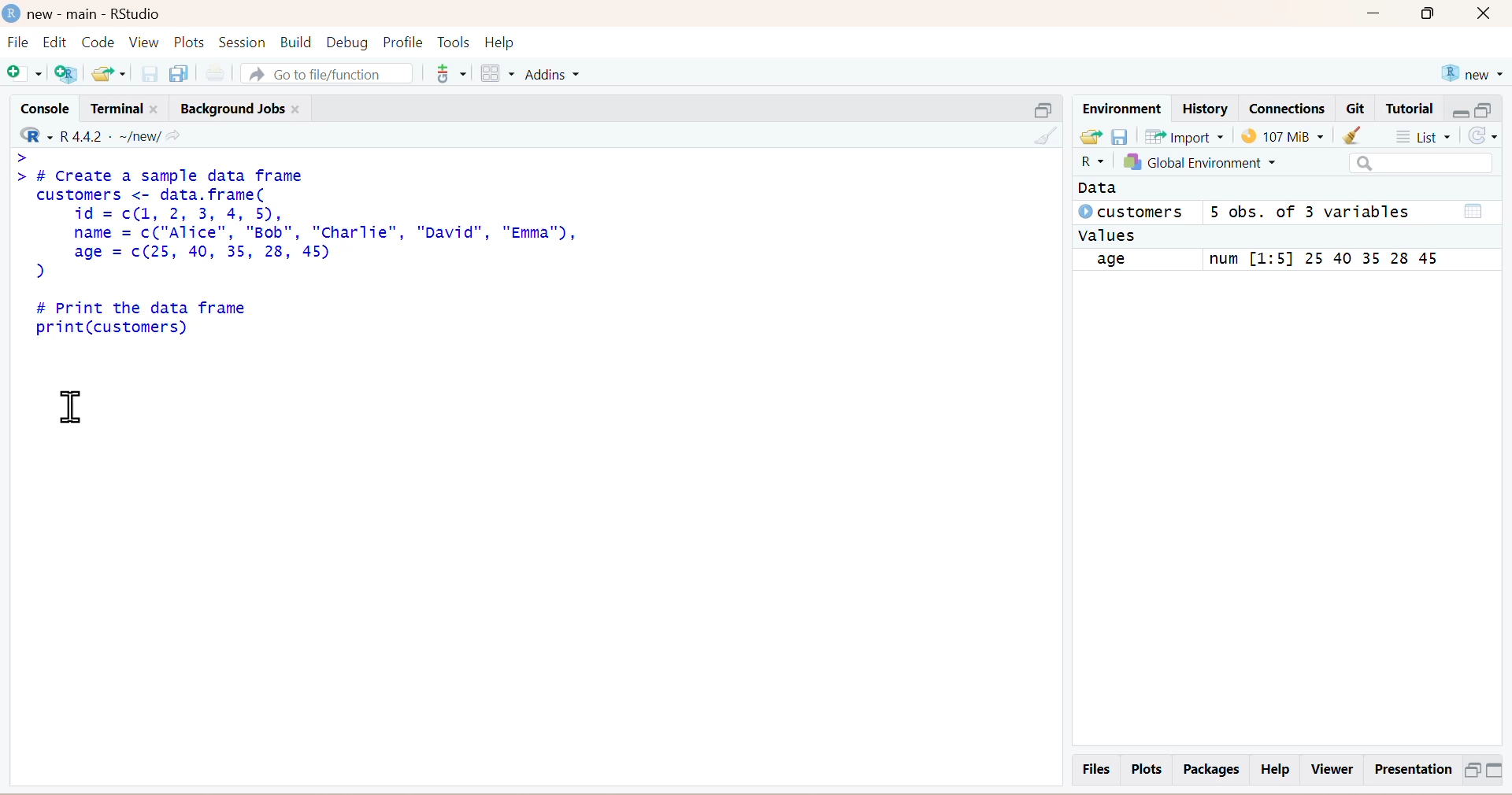  What do you see at coordinates (1406, 164) in the screenshot?
I see `Search bar` at bounding box center [1406, 164].